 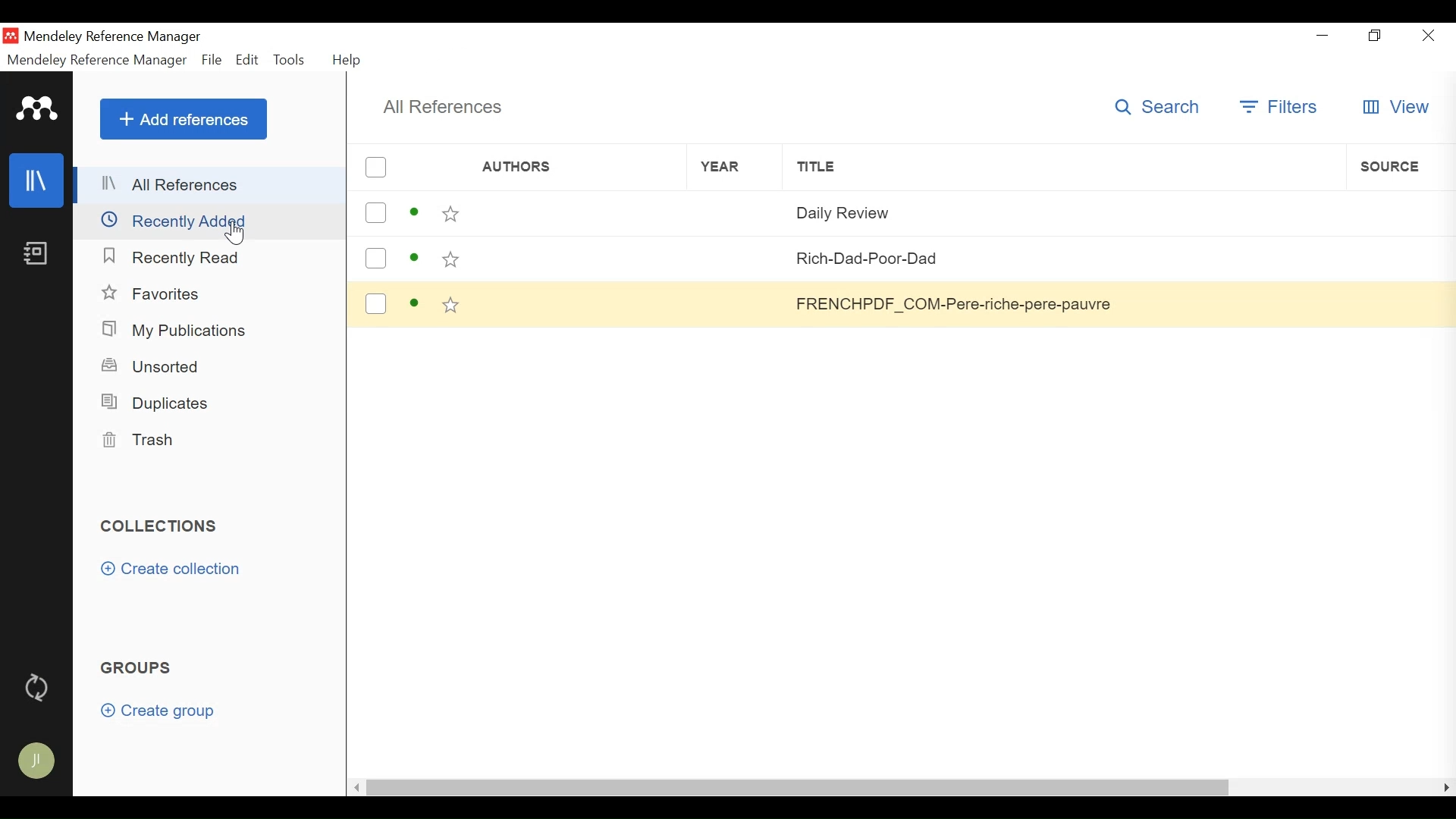 I want to click on Minimize, so click(x=1323, y=36).